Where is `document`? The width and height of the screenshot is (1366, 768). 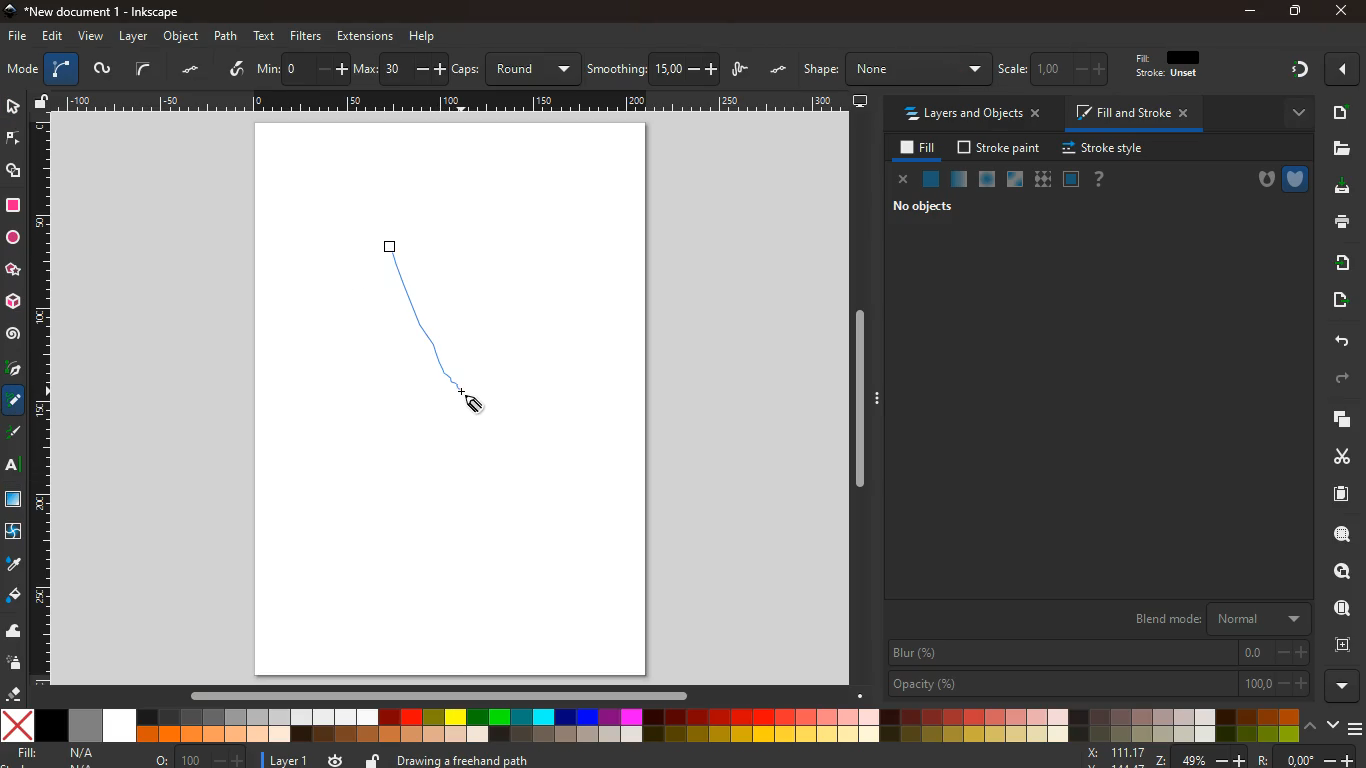
document is located at coordinates (1339, 112).